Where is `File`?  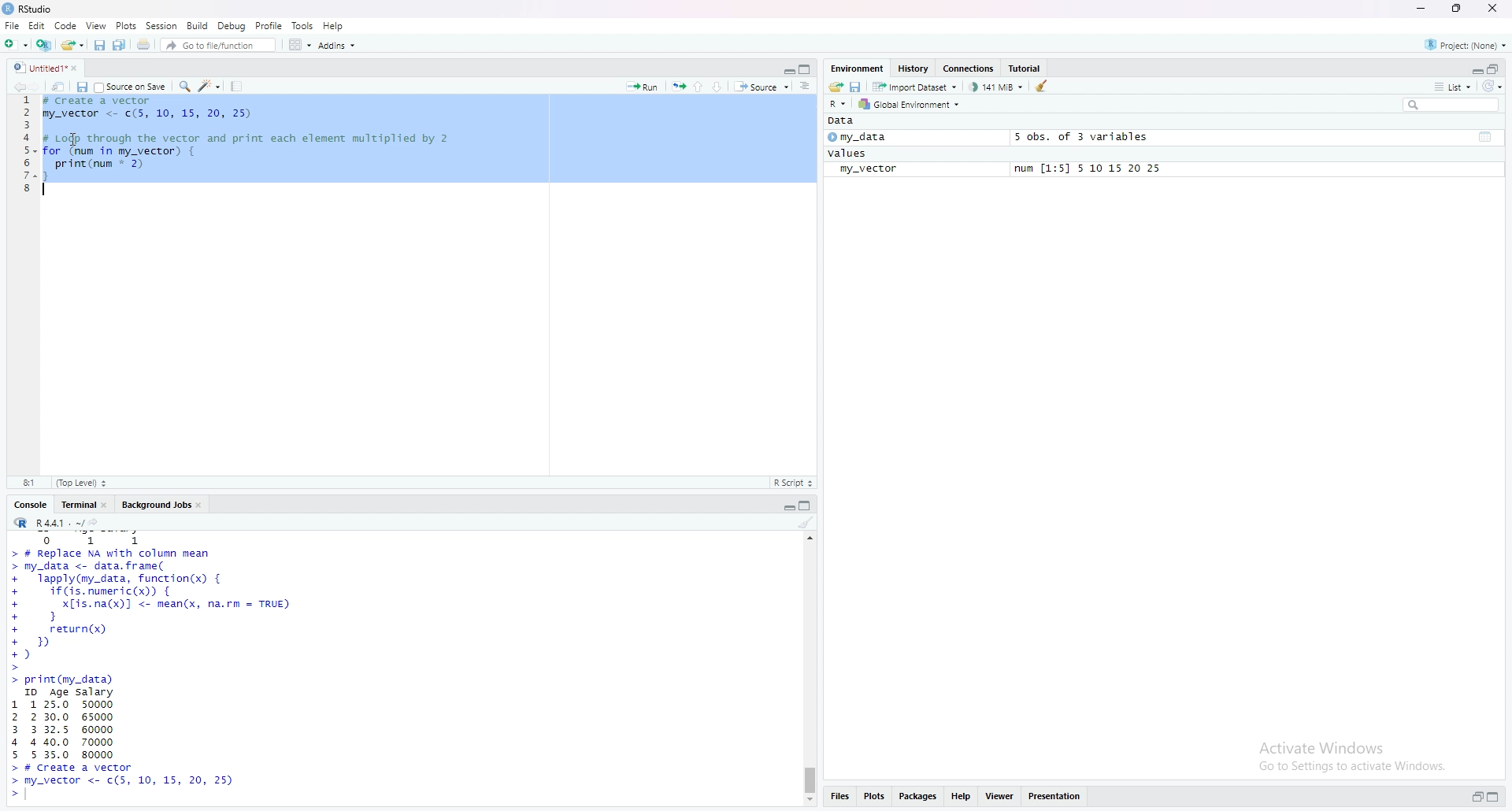 File is located at coordinates (10, 26).